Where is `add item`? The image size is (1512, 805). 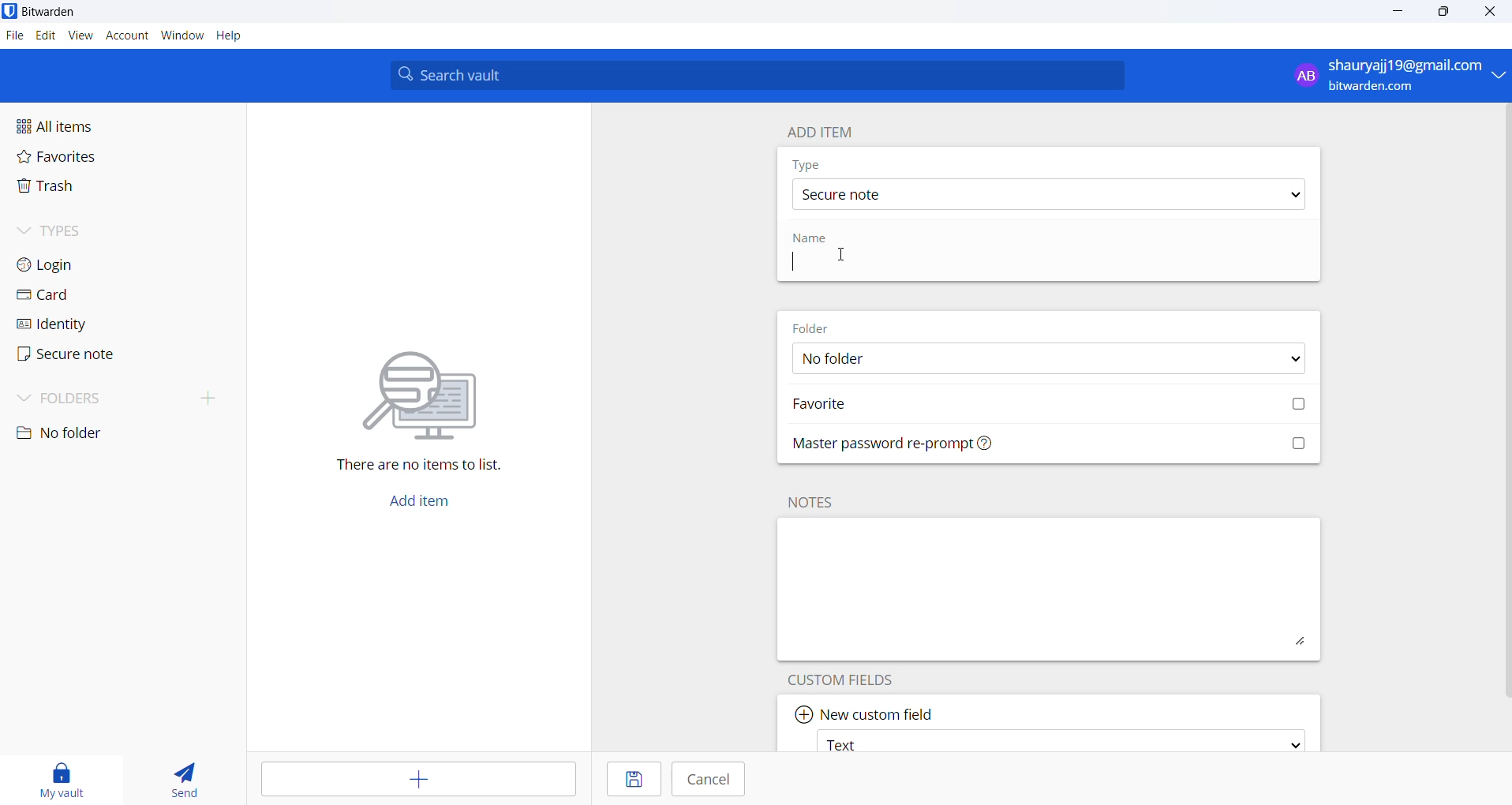 add item is located at coordinates (429, 500).